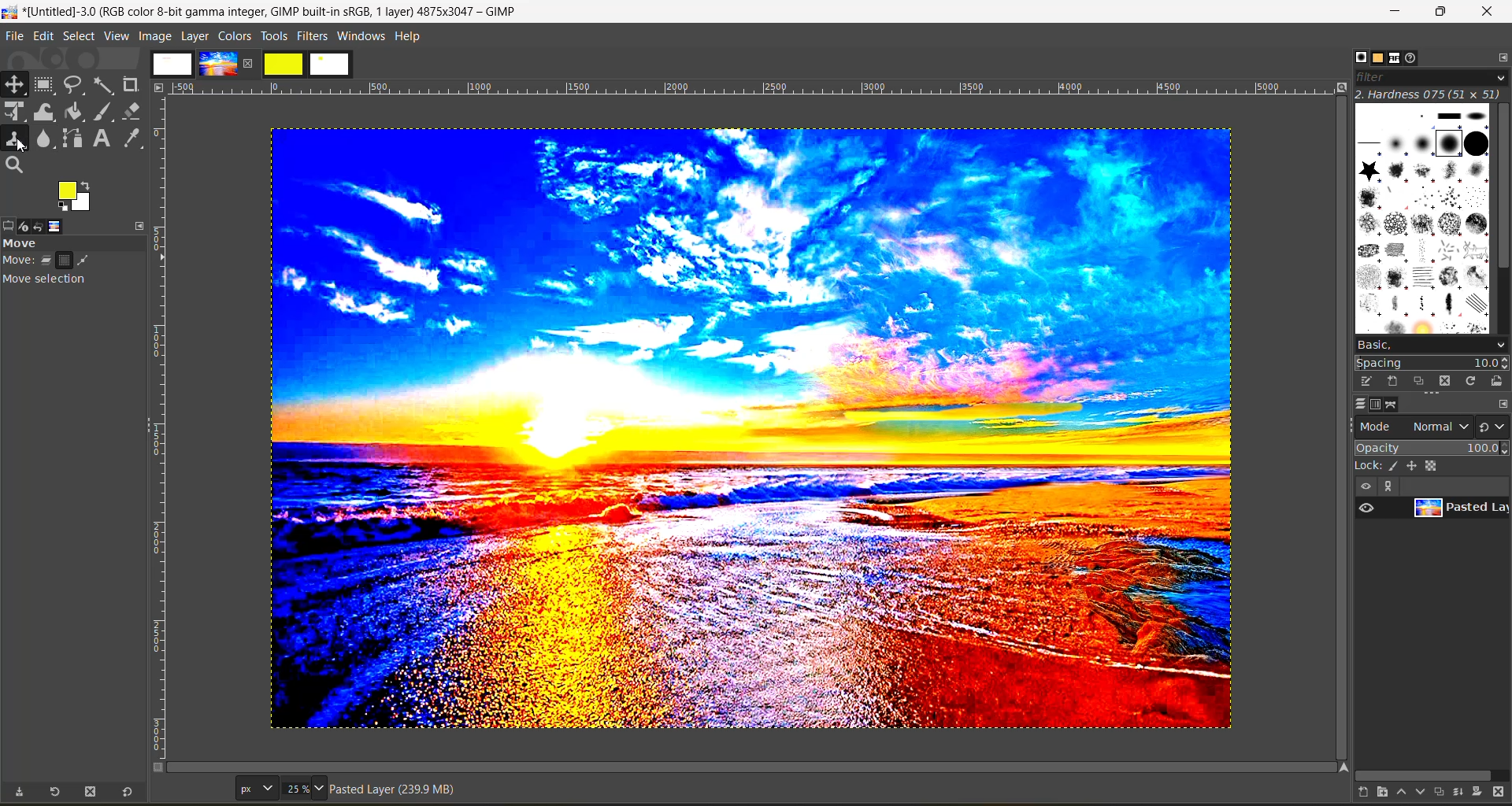 The width and height of the screenshot is (1512, 806). I want to click on tools, so click(274, 36).